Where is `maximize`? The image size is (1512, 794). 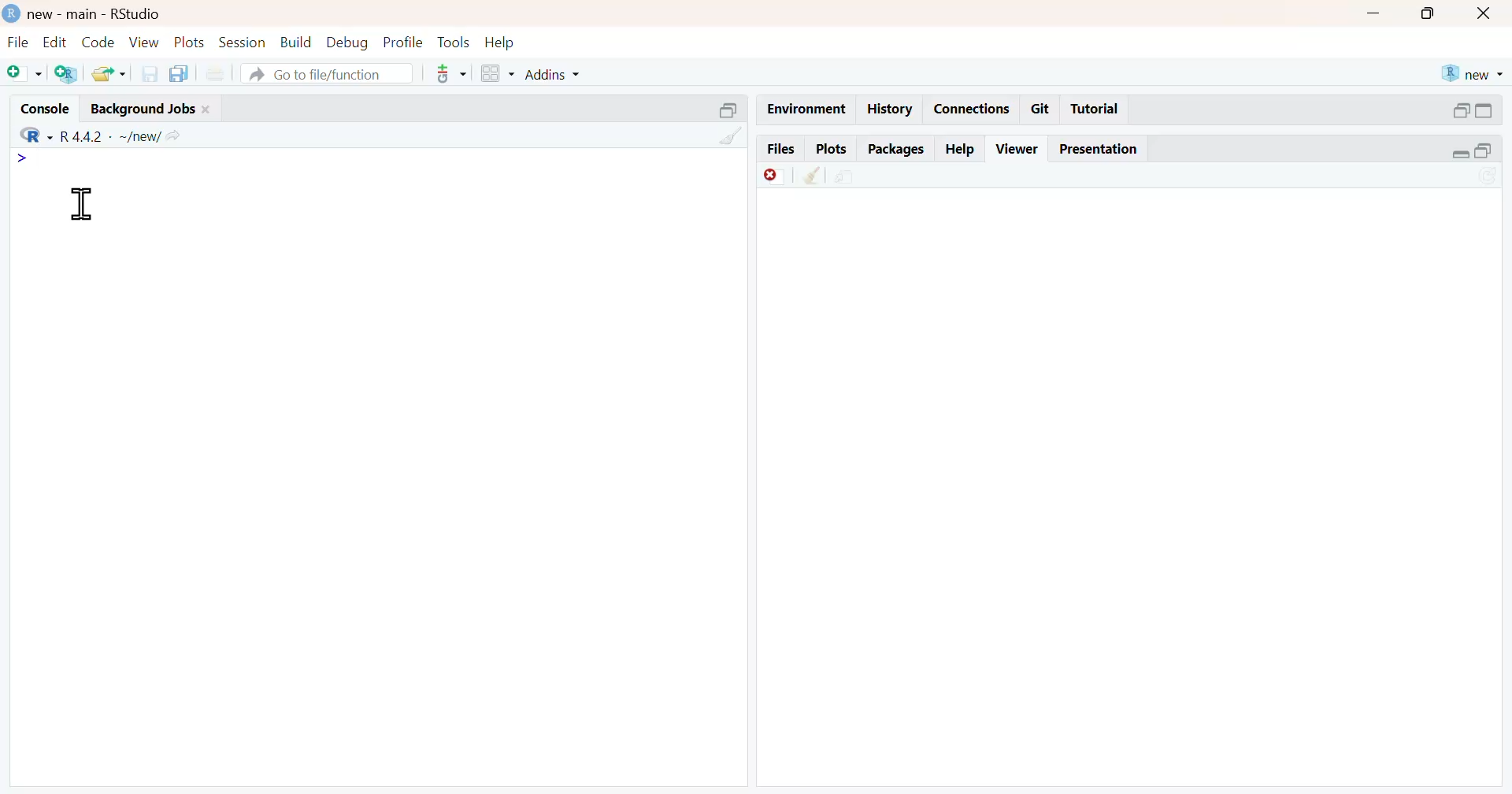
maximize is located at coordinates (1421, 14).